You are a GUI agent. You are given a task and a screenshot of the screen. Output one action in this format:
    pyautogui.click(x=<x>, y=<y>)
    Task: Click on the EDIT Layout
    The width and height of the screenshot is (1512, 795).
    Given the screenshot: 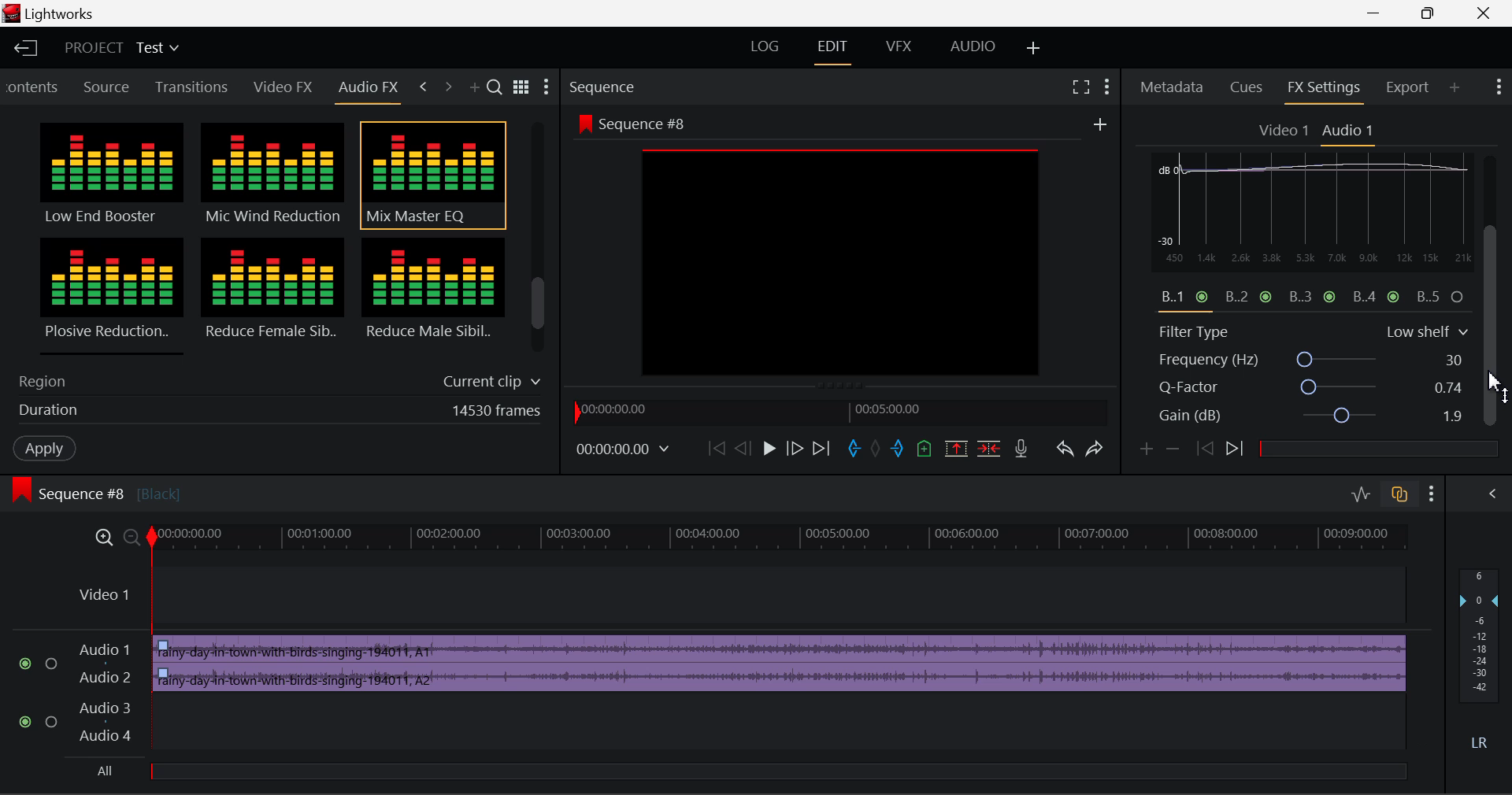 What is the action you would take?
    pyautogui.click(x=838, y=51)
    